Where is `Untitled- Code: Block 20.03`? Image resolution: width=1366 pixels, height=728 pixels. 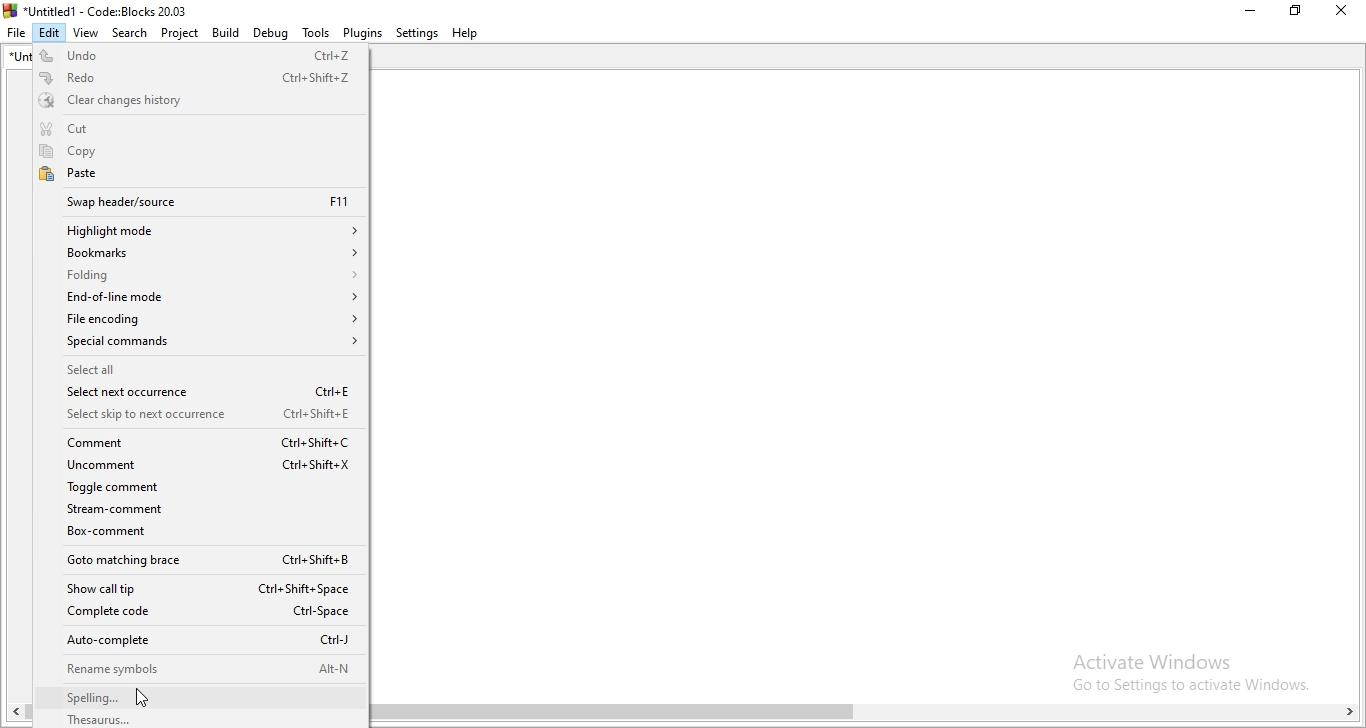
Untitled- Code: Block 20.03 is located at coordinates (93, 9).